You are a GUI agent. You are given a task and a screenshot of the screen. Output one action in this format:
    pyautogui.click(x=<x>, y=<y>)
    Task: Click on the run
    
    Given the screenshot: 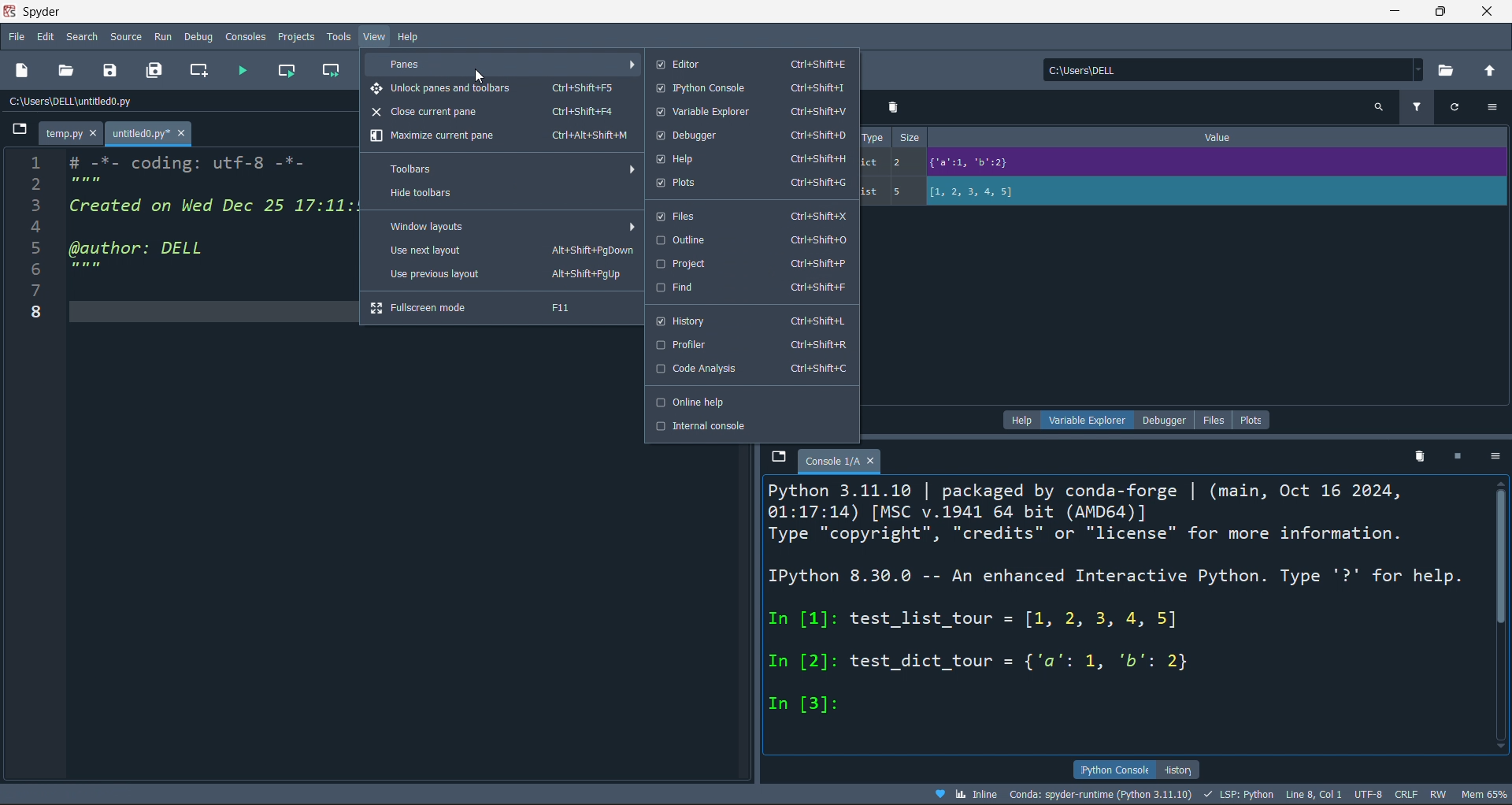 What is the action you would take?
    pyautogui.click(x=161, y=37)
    